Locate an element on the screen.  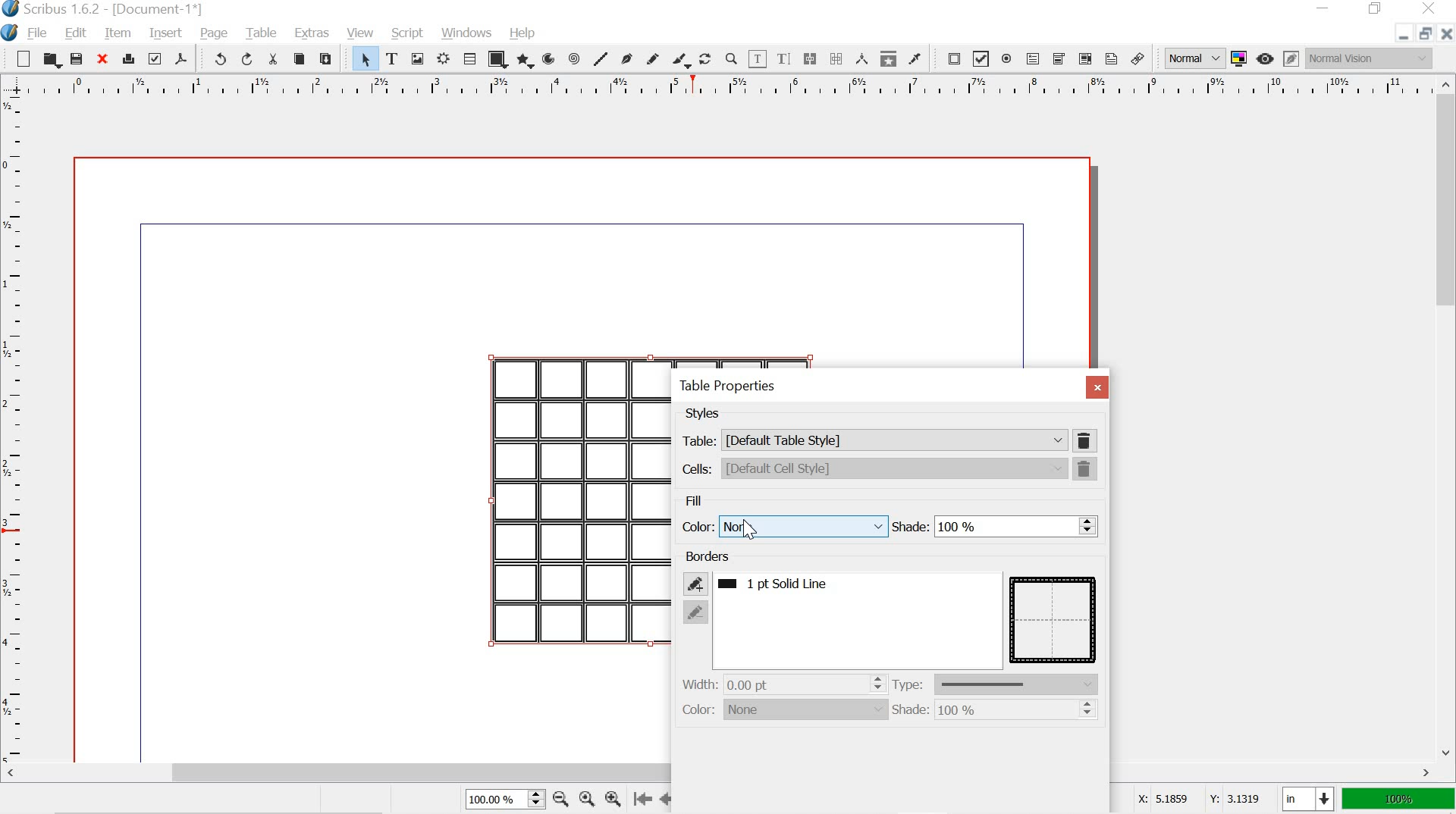
view is located at coordinates (361, 33).